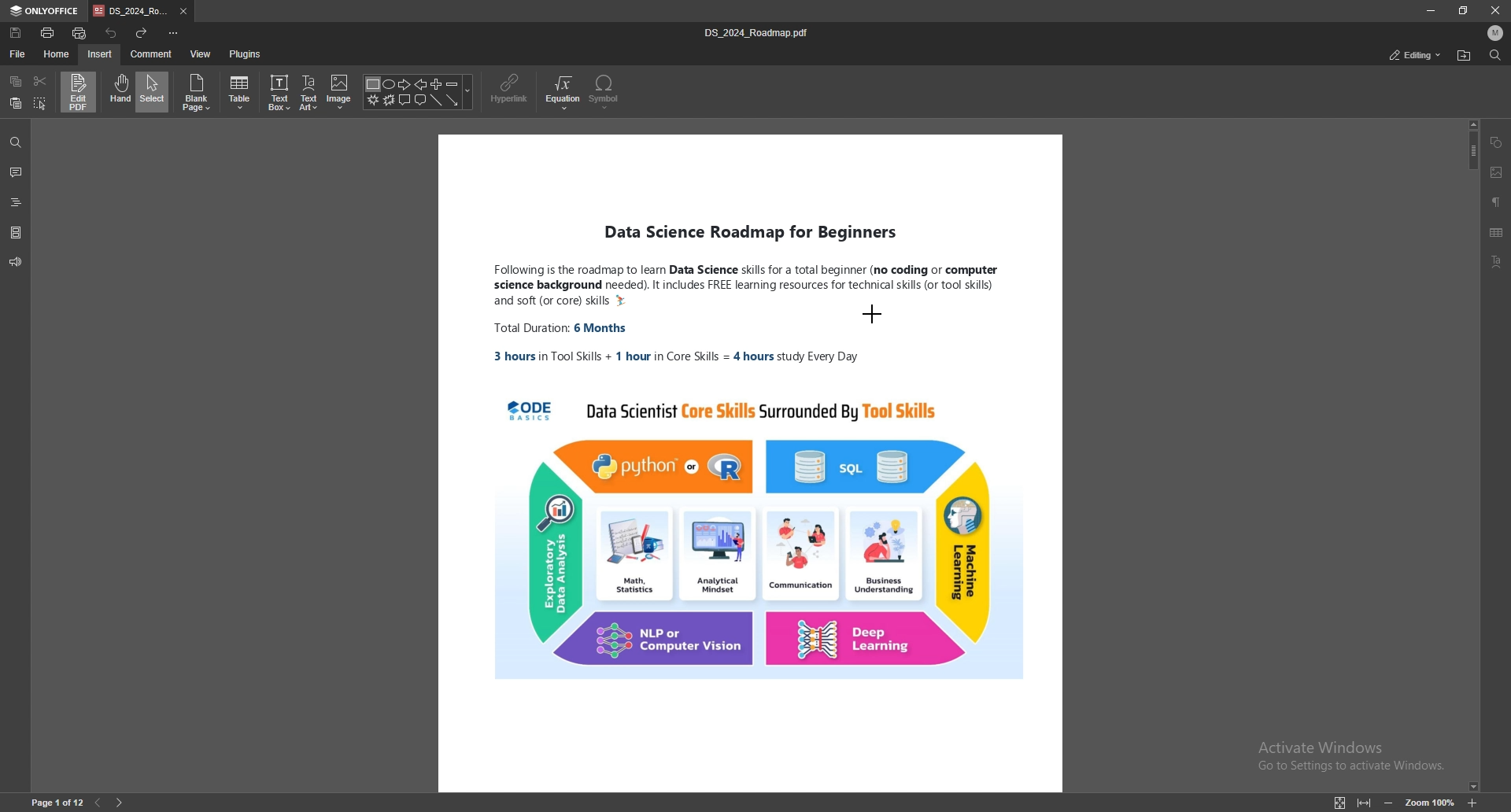  Describe the element at coordinates (99, 55) in the screenshot. I see `insert` at that location.